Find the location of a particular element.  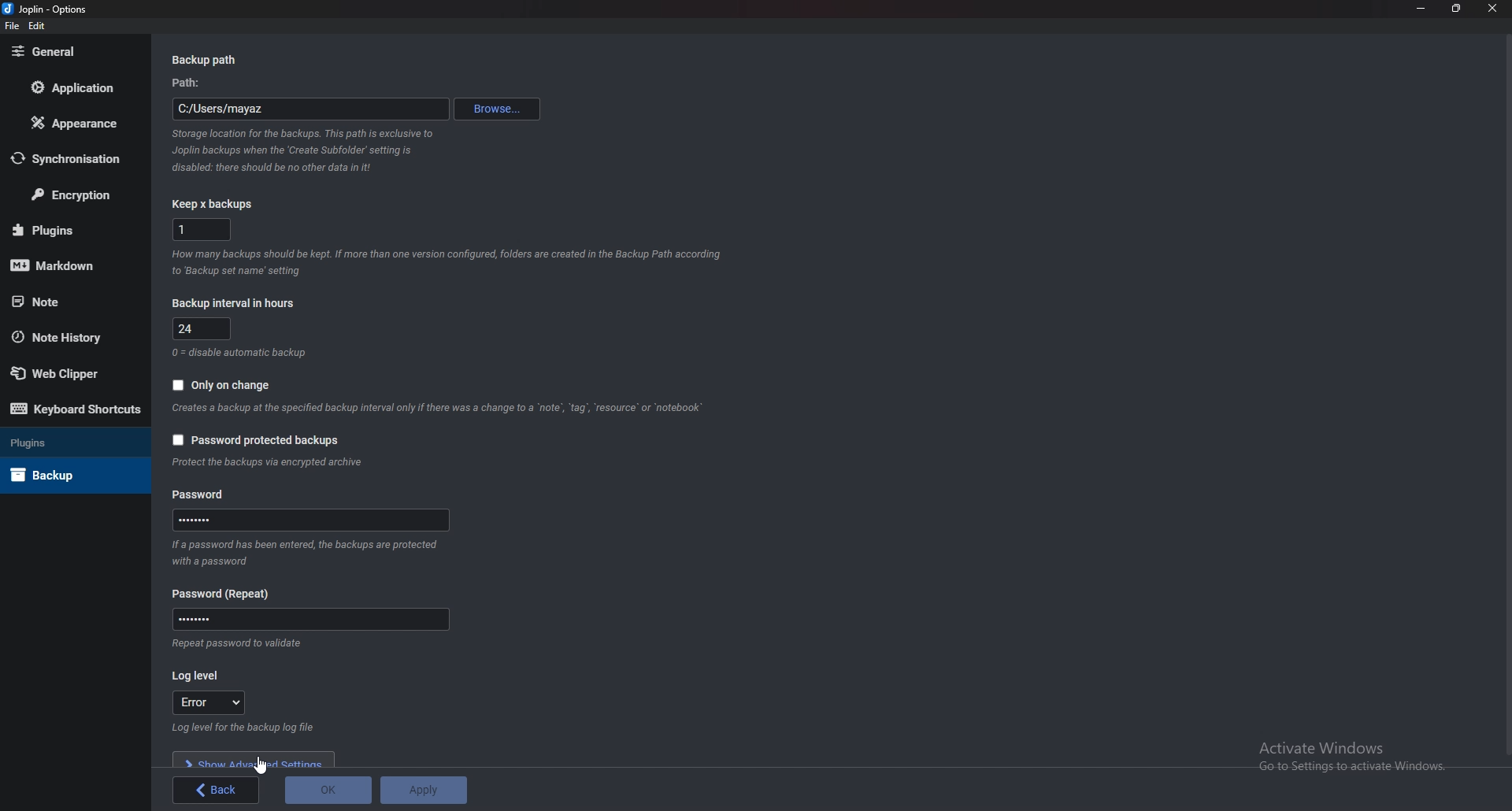

Only on change is located at coordinates (231, 383).